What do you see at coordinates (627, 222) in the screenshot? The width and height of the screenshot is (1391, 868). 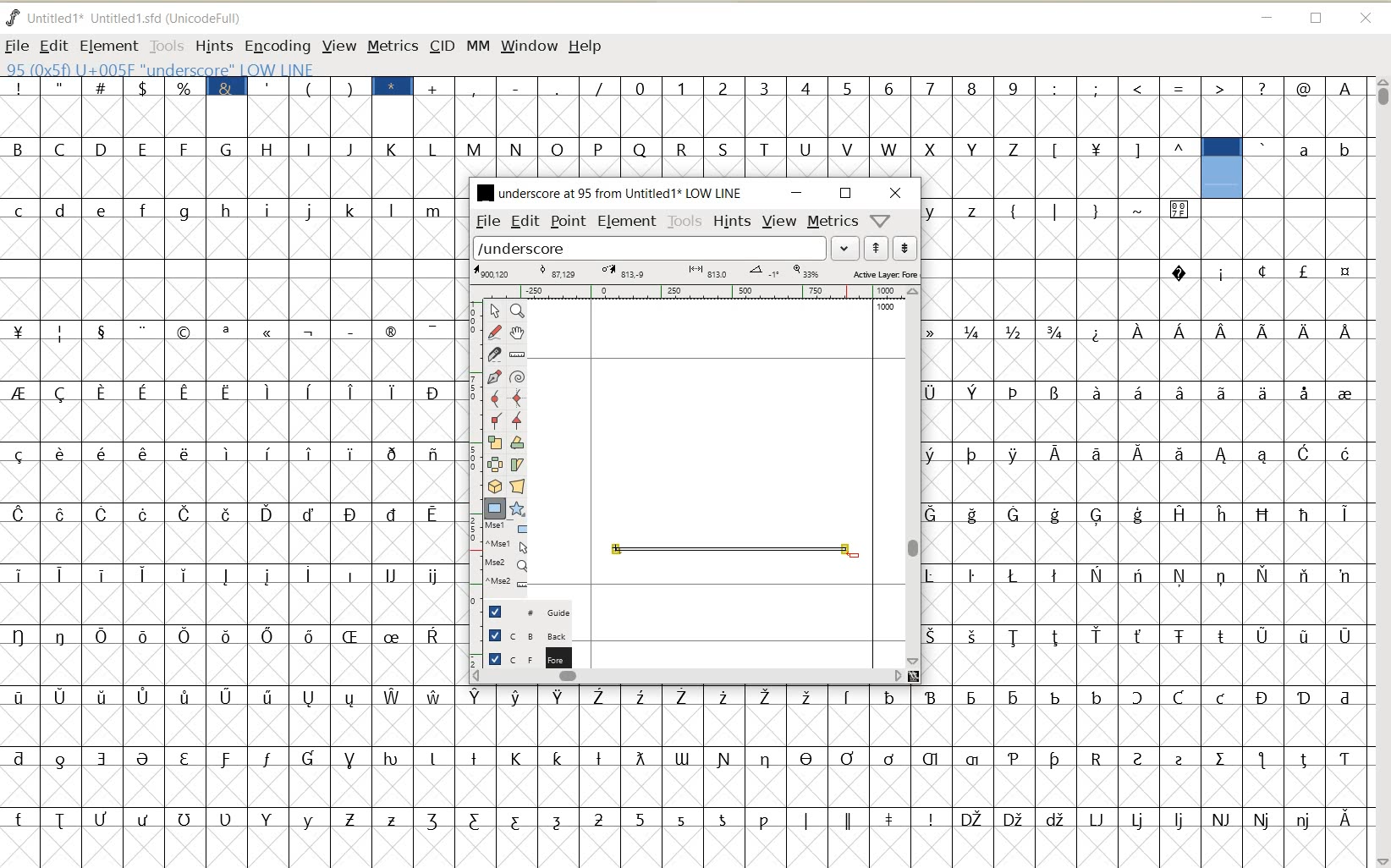 I see `ELEMENT` at bounding box center [627, 222].